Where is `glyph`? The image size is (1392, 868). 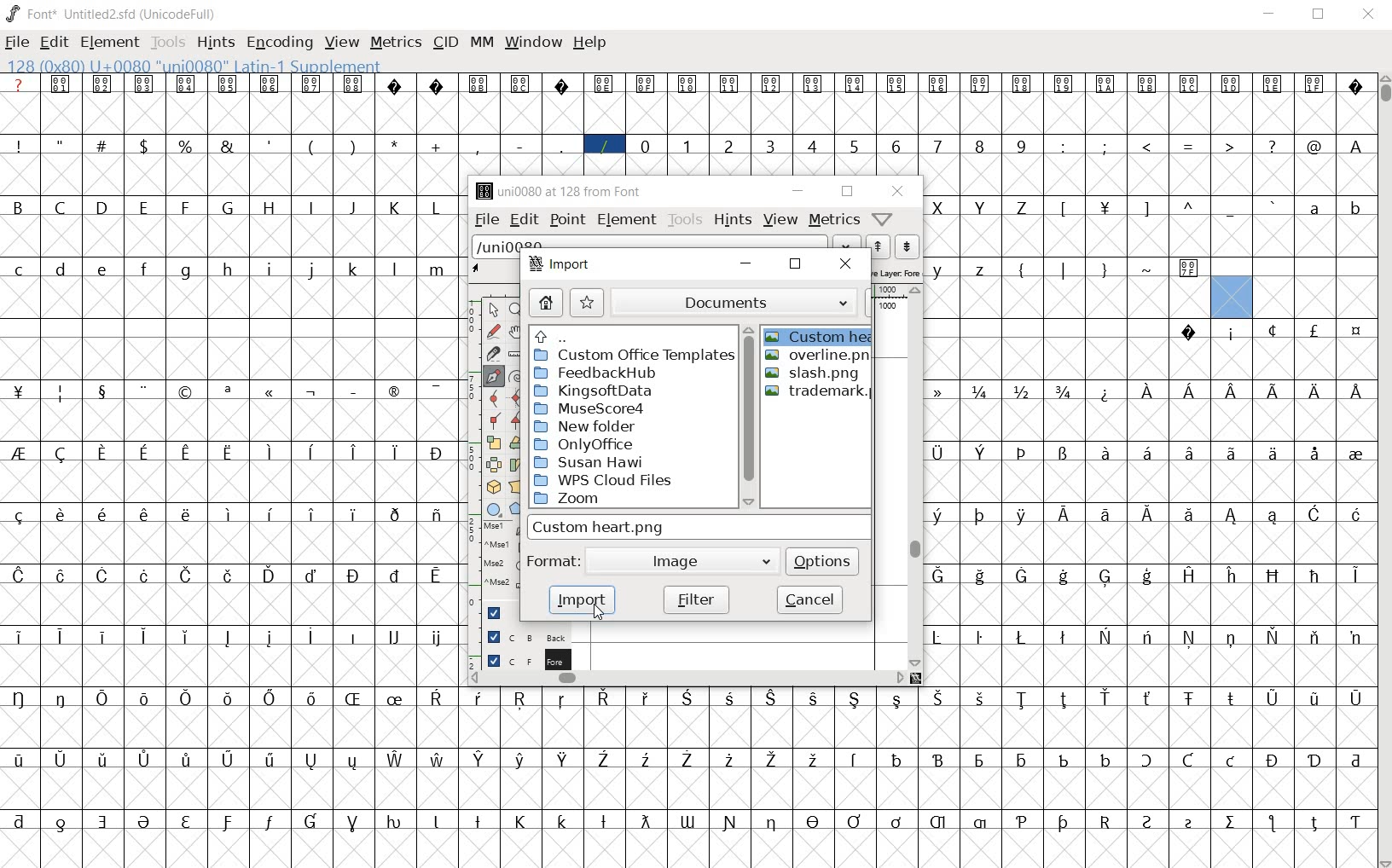
glyph is located at coordinates (687, 84).